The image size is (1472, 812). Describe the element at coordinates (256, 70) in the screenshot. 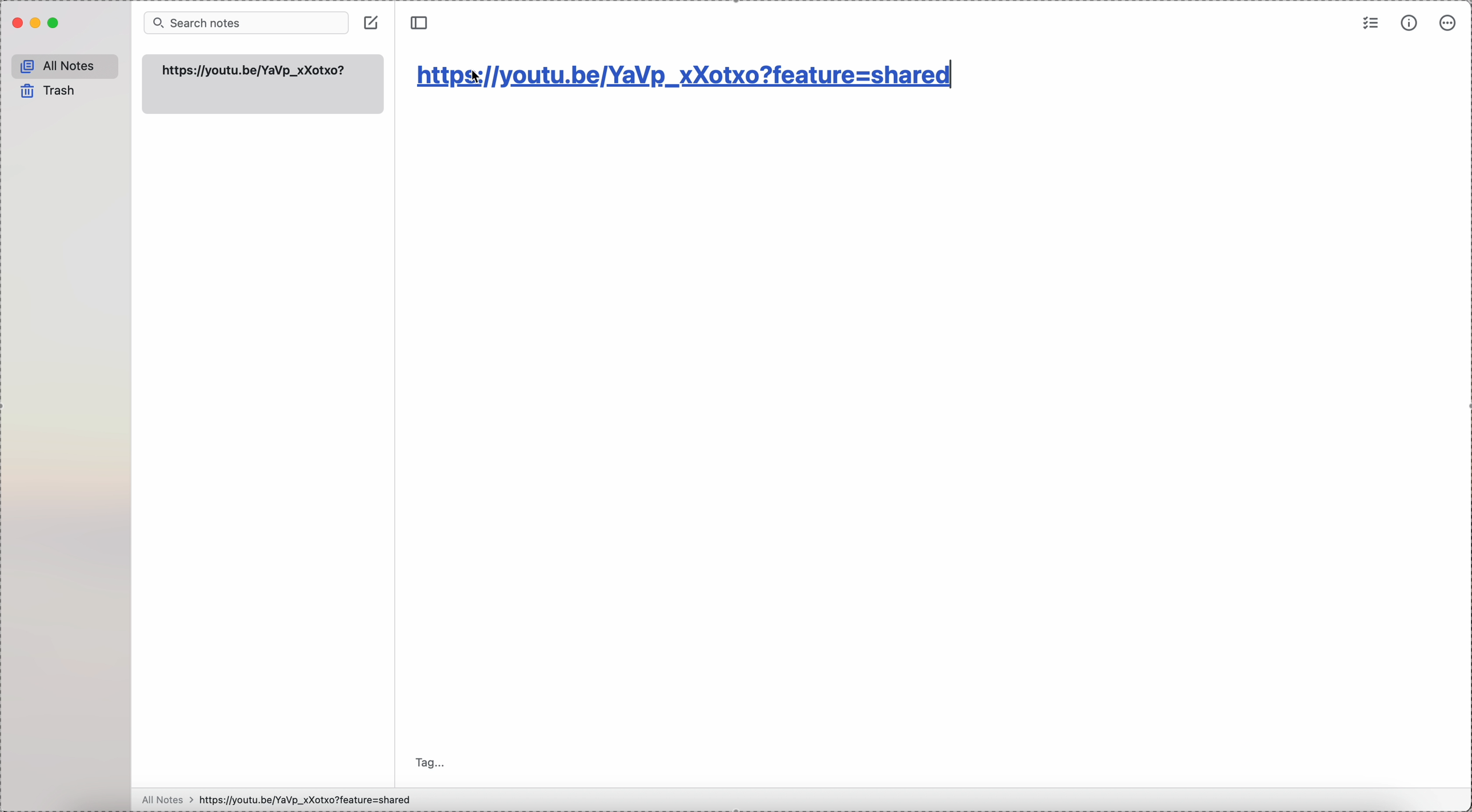

I see `URL` at that location.